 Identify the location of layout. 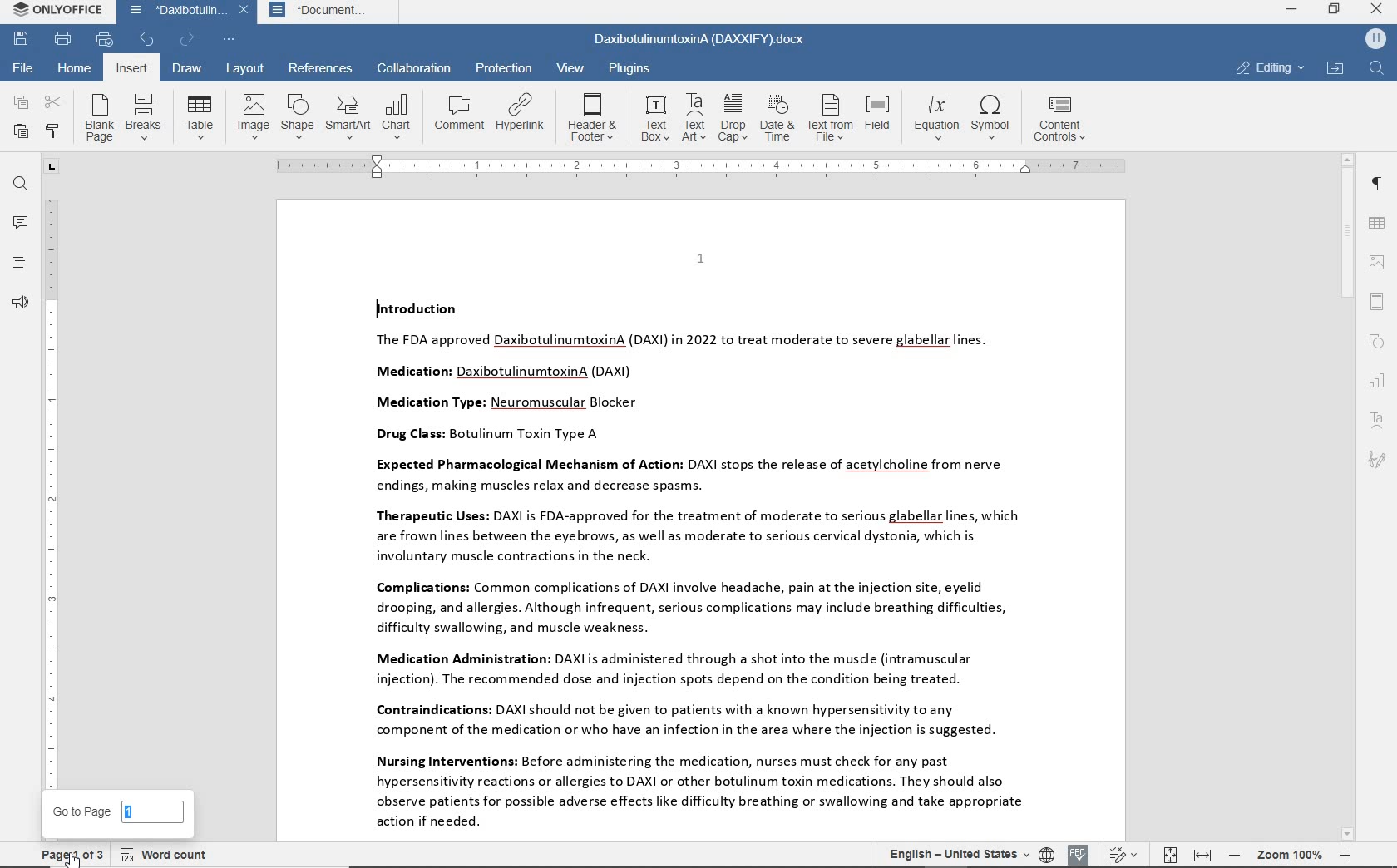
(244, 70).